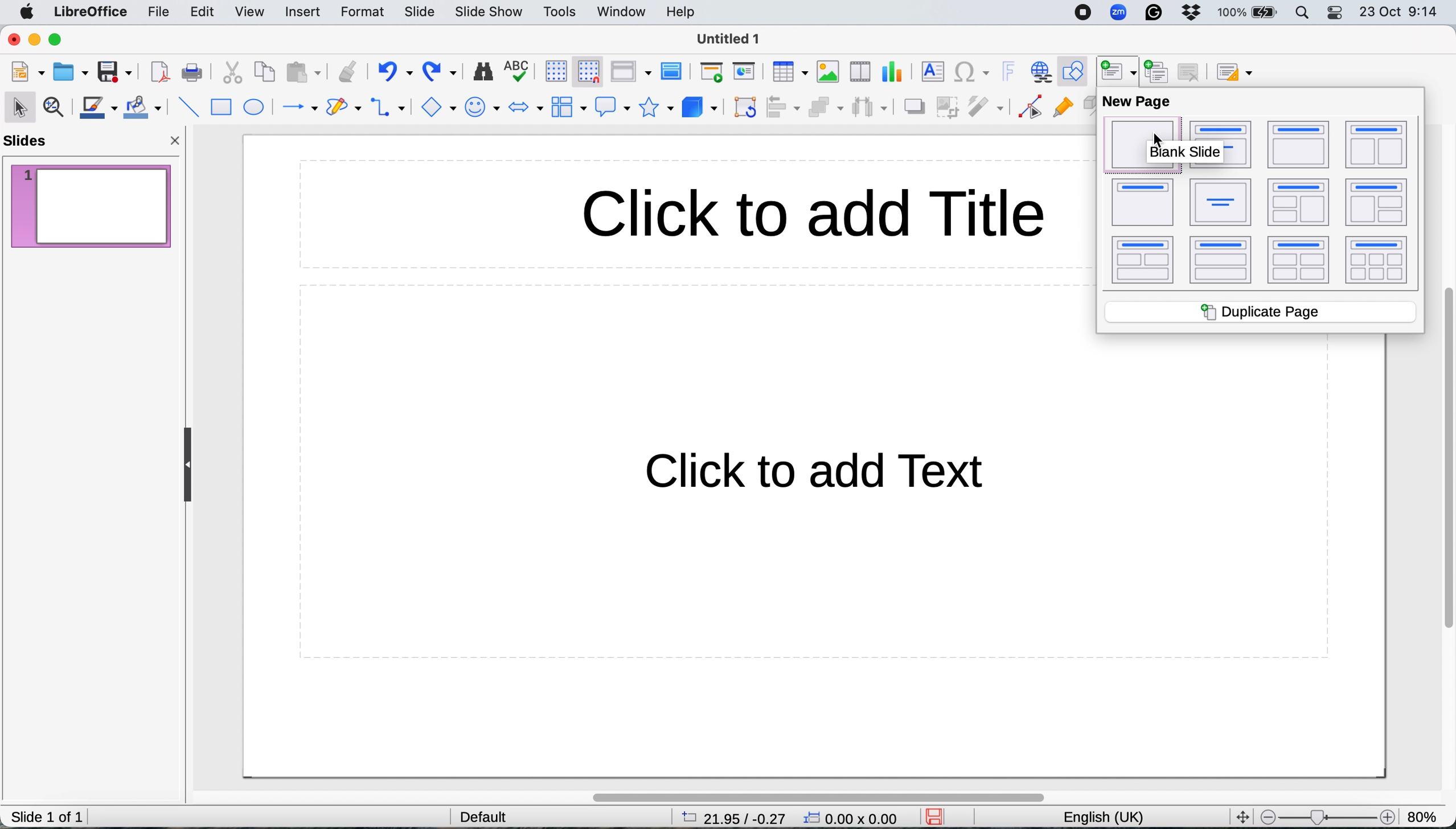 The height and width of the screenshot is (829, 1456). Describe the element at coordinates (1193, 71) in the screenshot. I see `delete slide` at that location.